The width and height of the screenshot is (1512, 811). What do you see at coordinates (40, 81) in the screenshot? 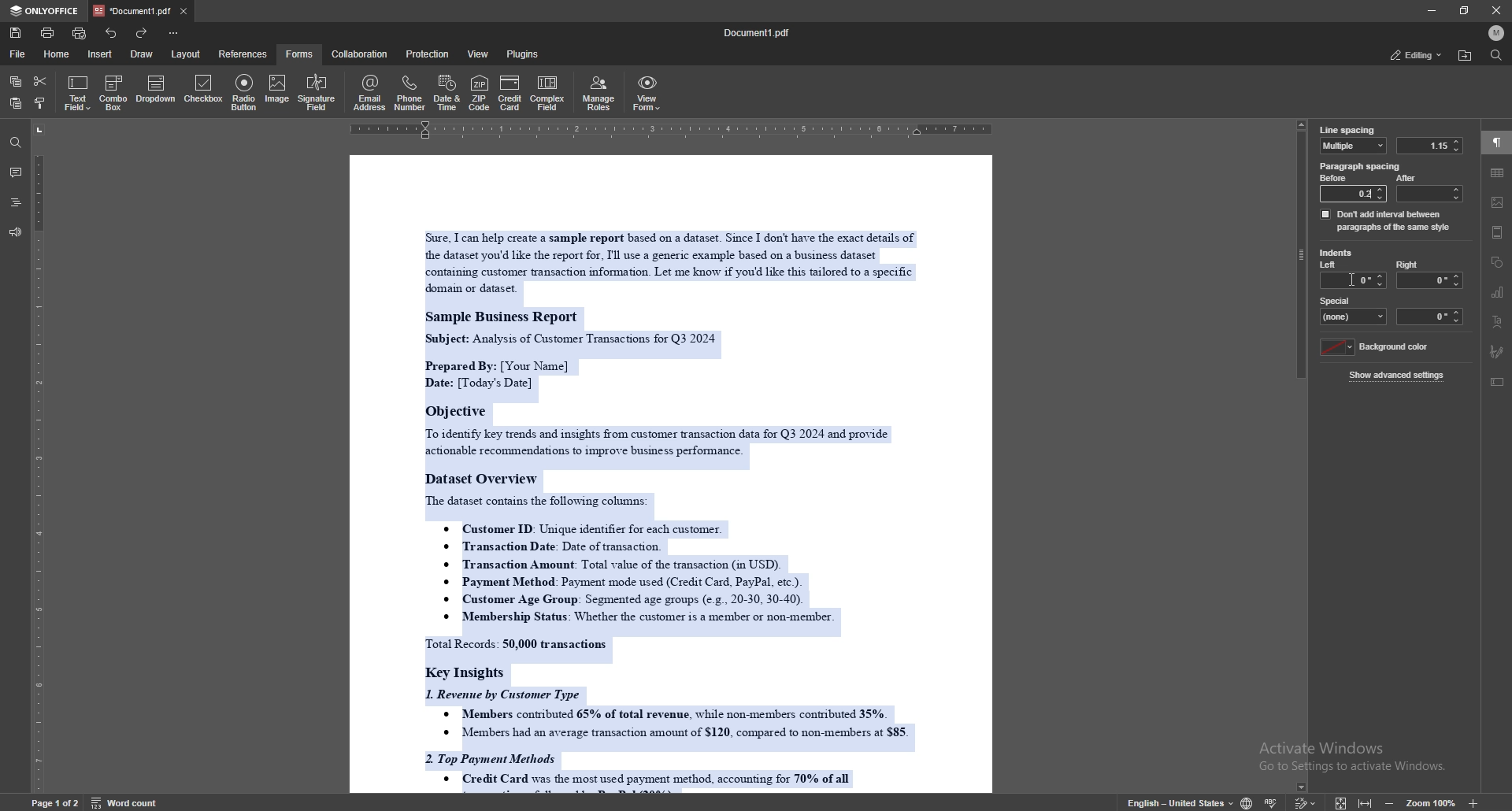
I see `cut` at bounding box center [40, 81].